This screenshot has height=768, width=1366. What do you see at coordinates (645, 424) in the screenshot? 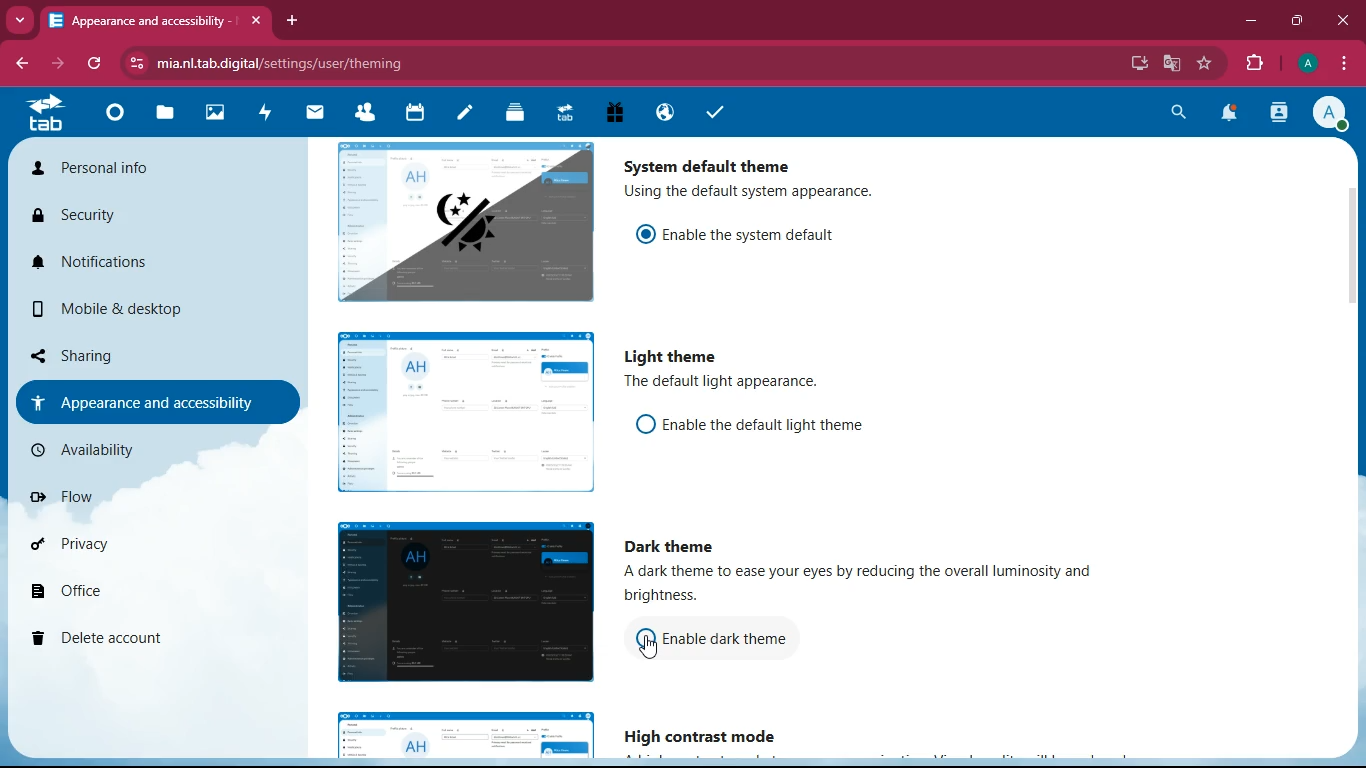
I see `off` at bounding box center [645, 424].